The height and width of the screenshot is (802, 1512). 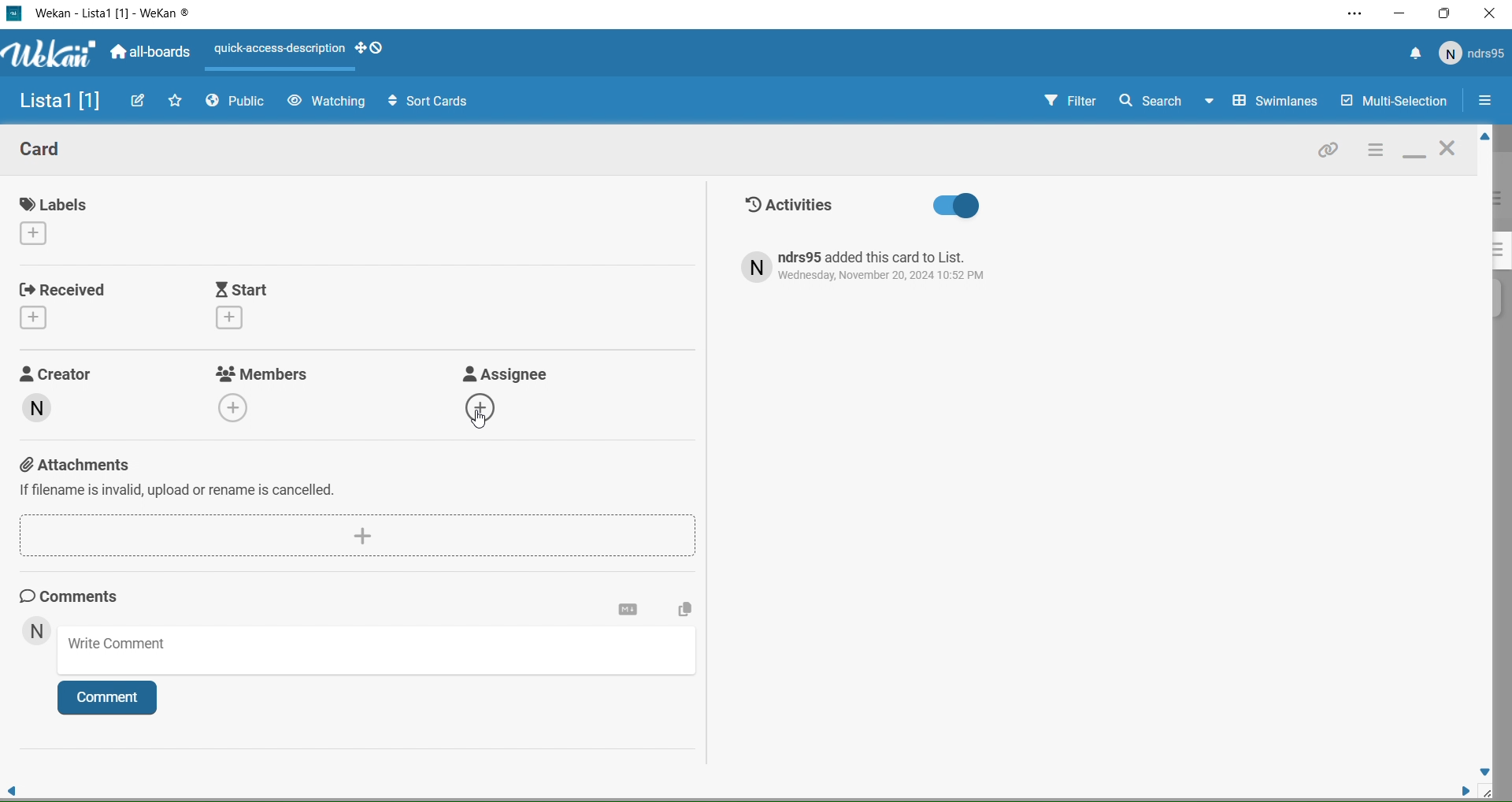 I want to click on Edit, so click(x=139, y=100).